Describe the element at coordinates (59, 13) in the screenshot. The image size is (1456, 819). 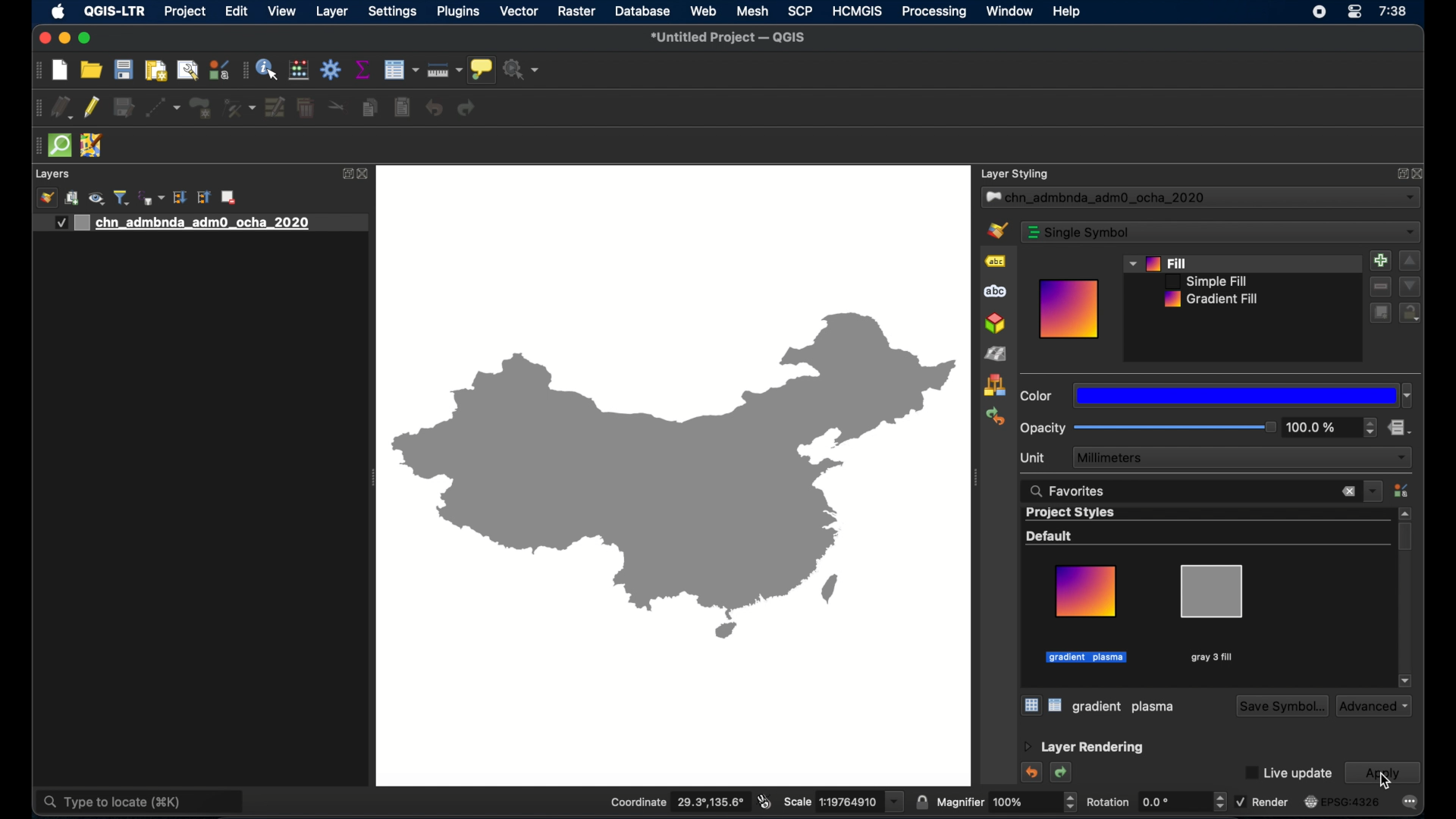
I see `apple icon` at that location.